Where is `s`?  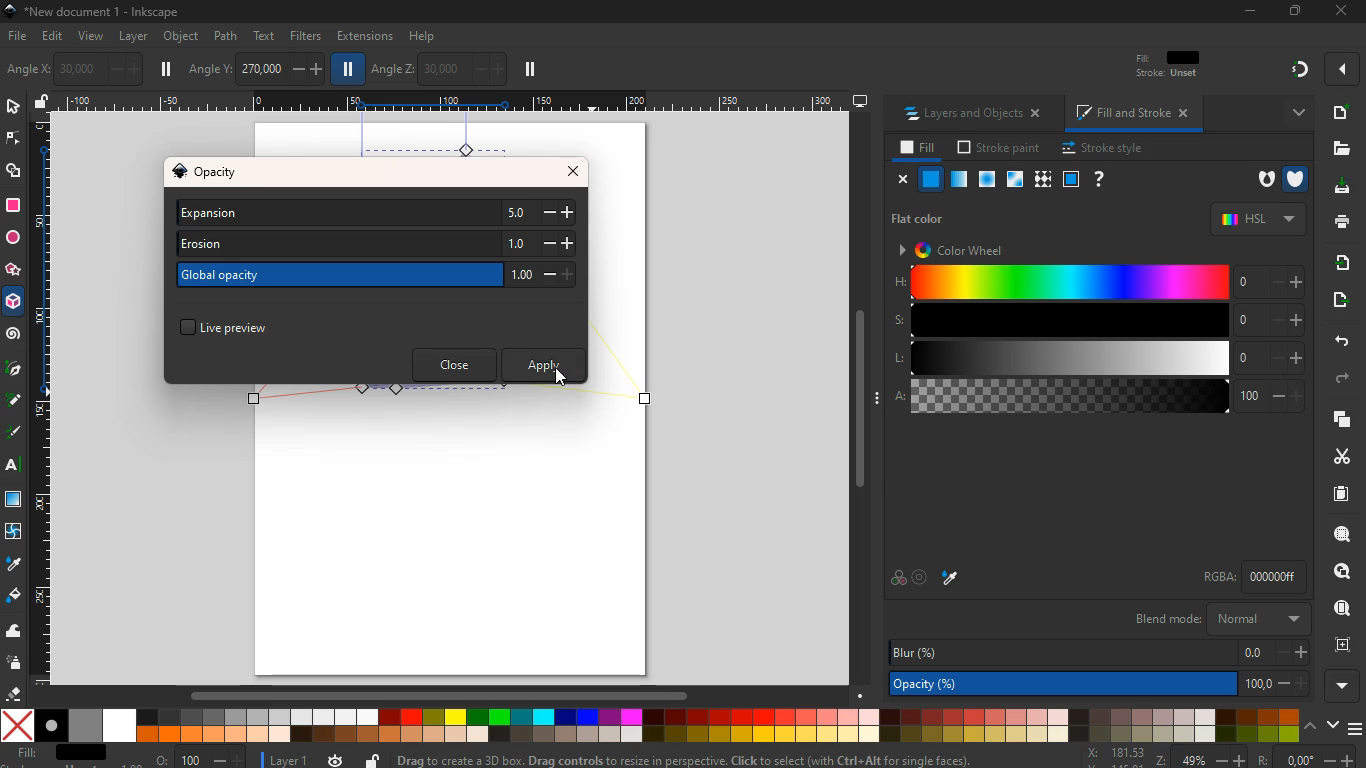 s is located at coordinates (1097, 321).